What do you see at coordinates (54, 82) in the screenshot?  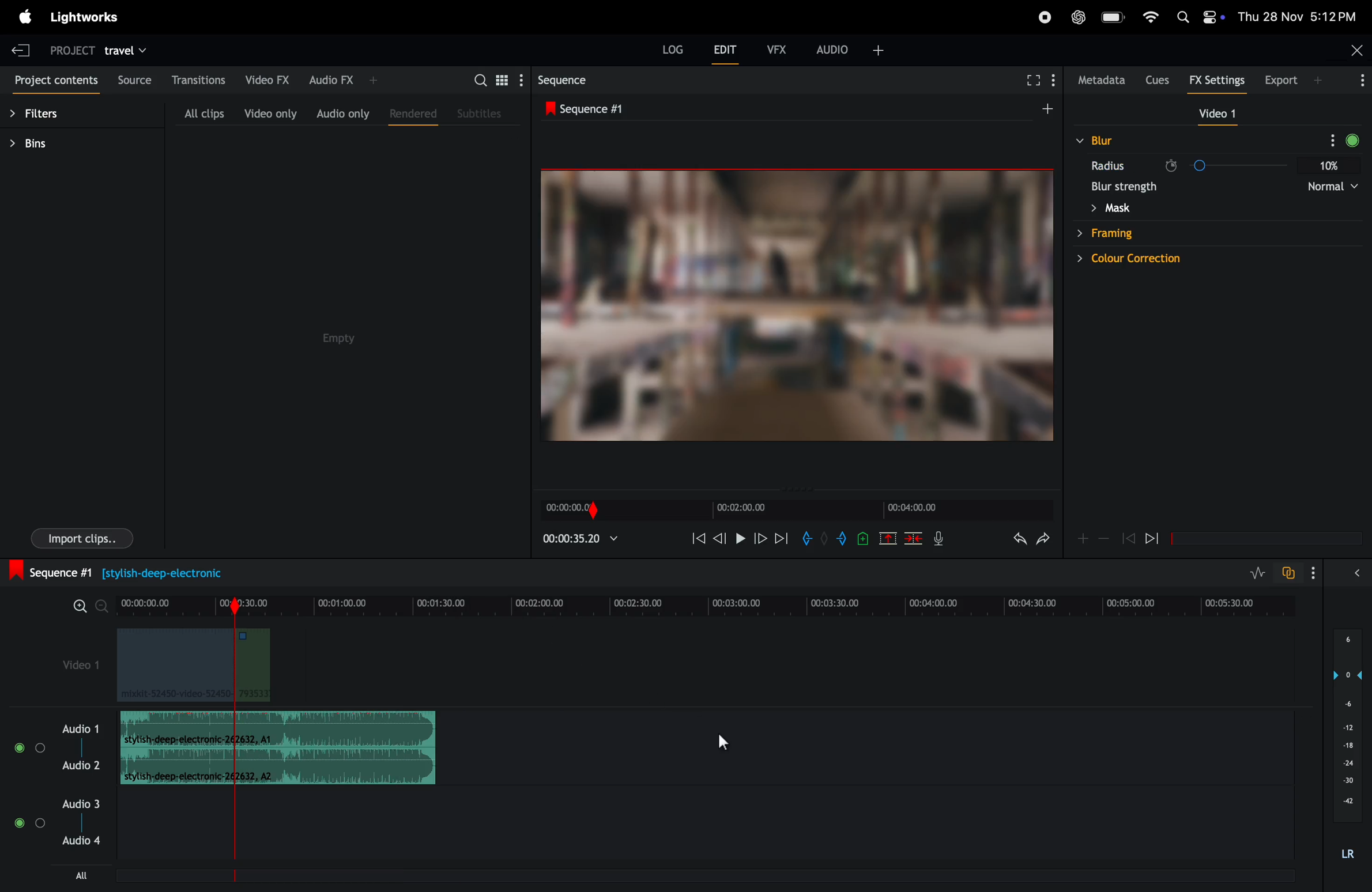 I see `project contents` at bounding box center [54, 82].